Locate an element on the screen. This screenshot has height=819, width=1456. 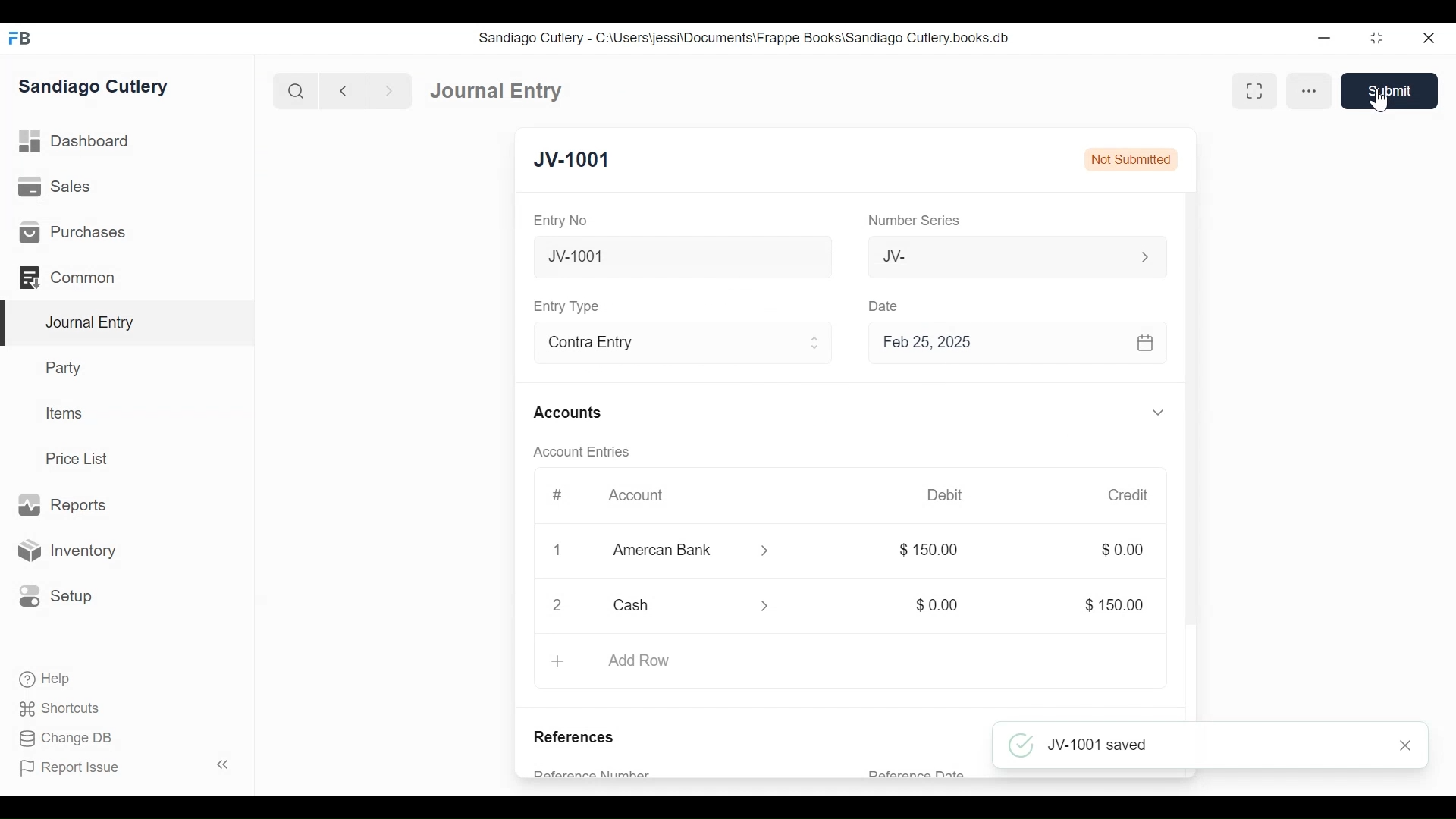
# is located at coordinates (557, 495).